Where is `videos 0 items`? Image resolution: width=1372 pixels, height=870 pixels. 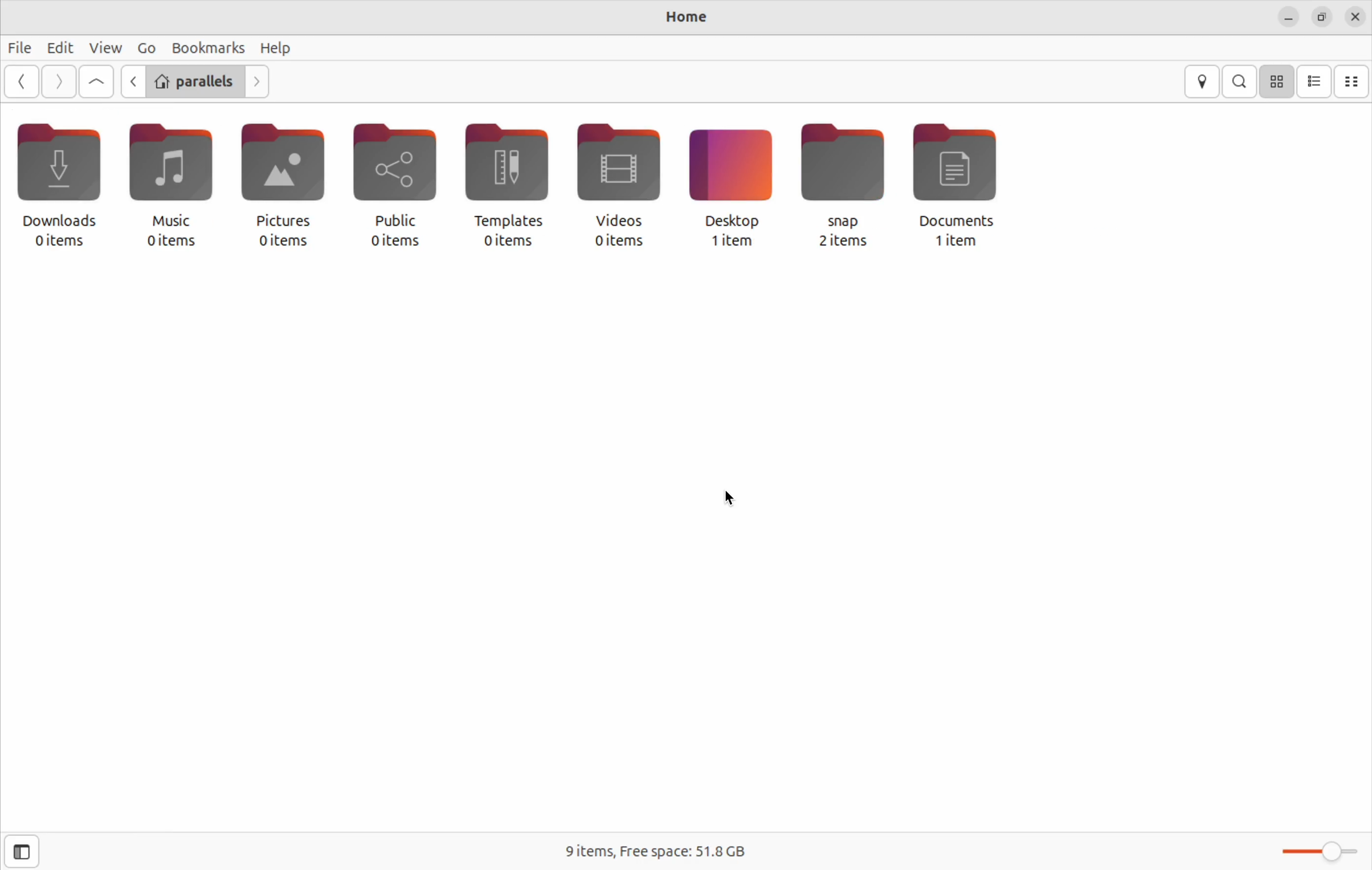 videos 0 items is located at coordinates (624, 186).